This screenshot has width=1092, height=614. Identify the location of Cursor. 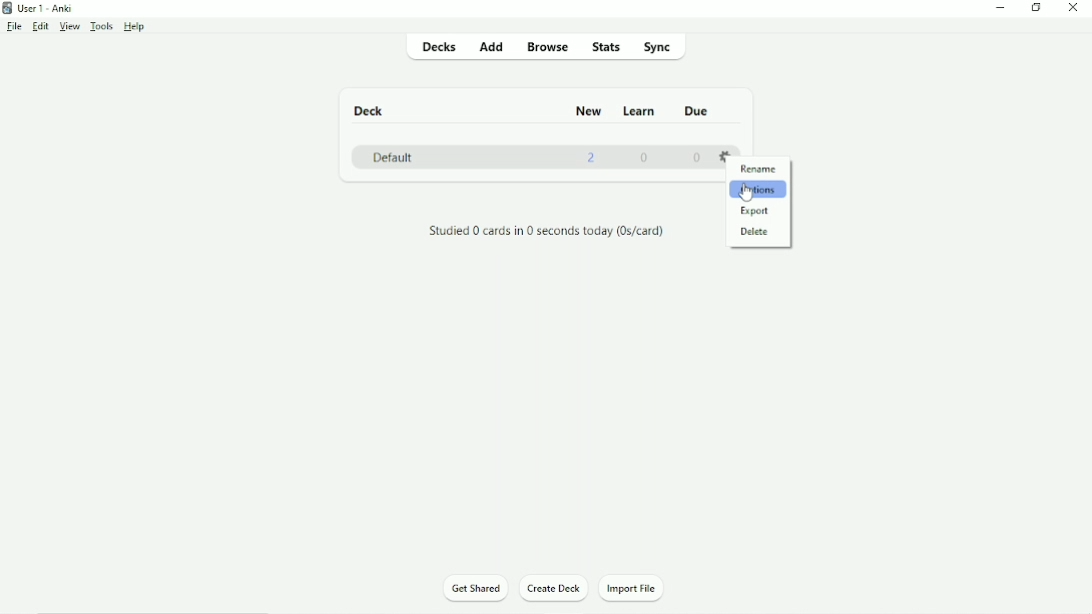
(747, 196).